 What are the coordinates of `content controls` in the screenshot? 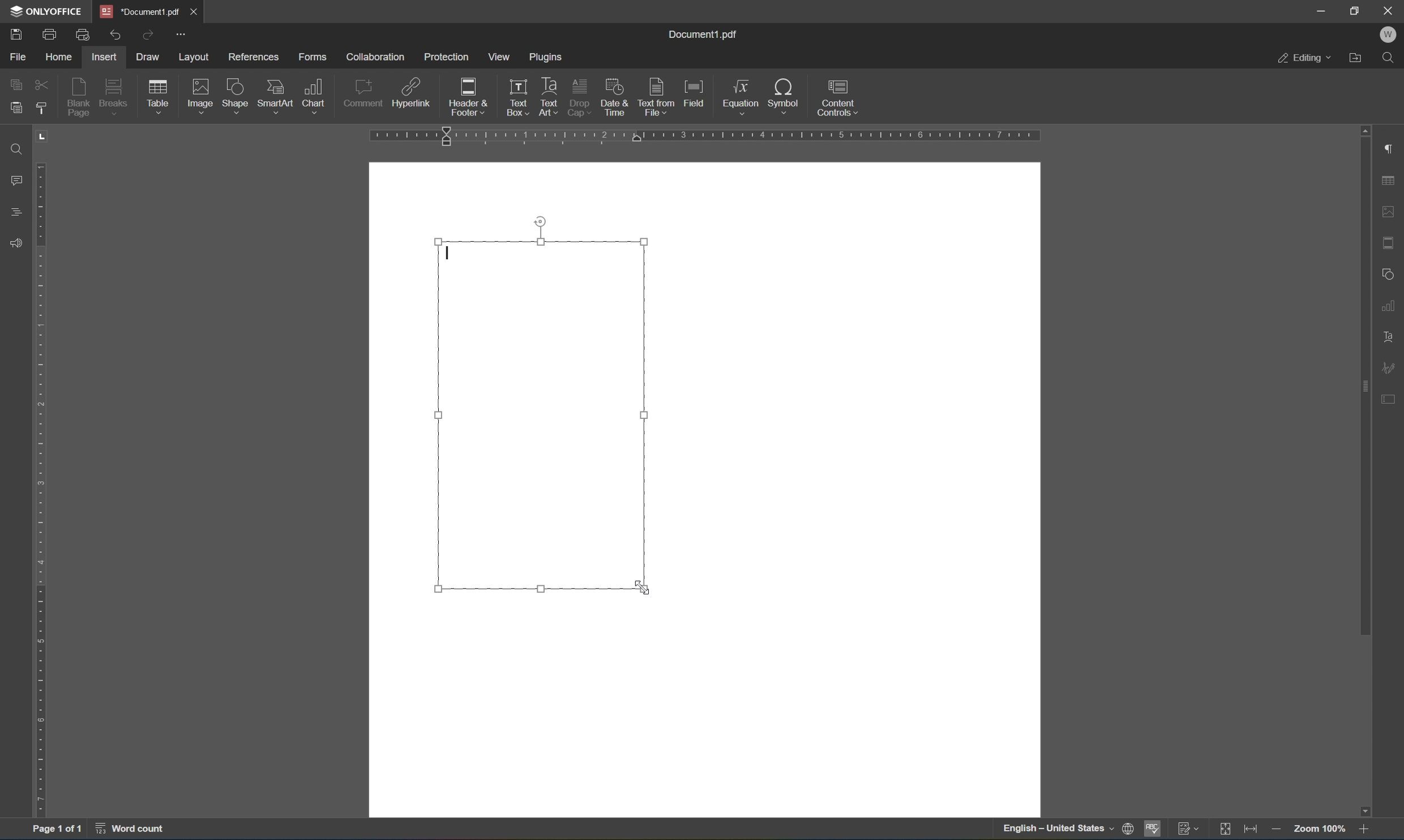 It's located at (841, 97).